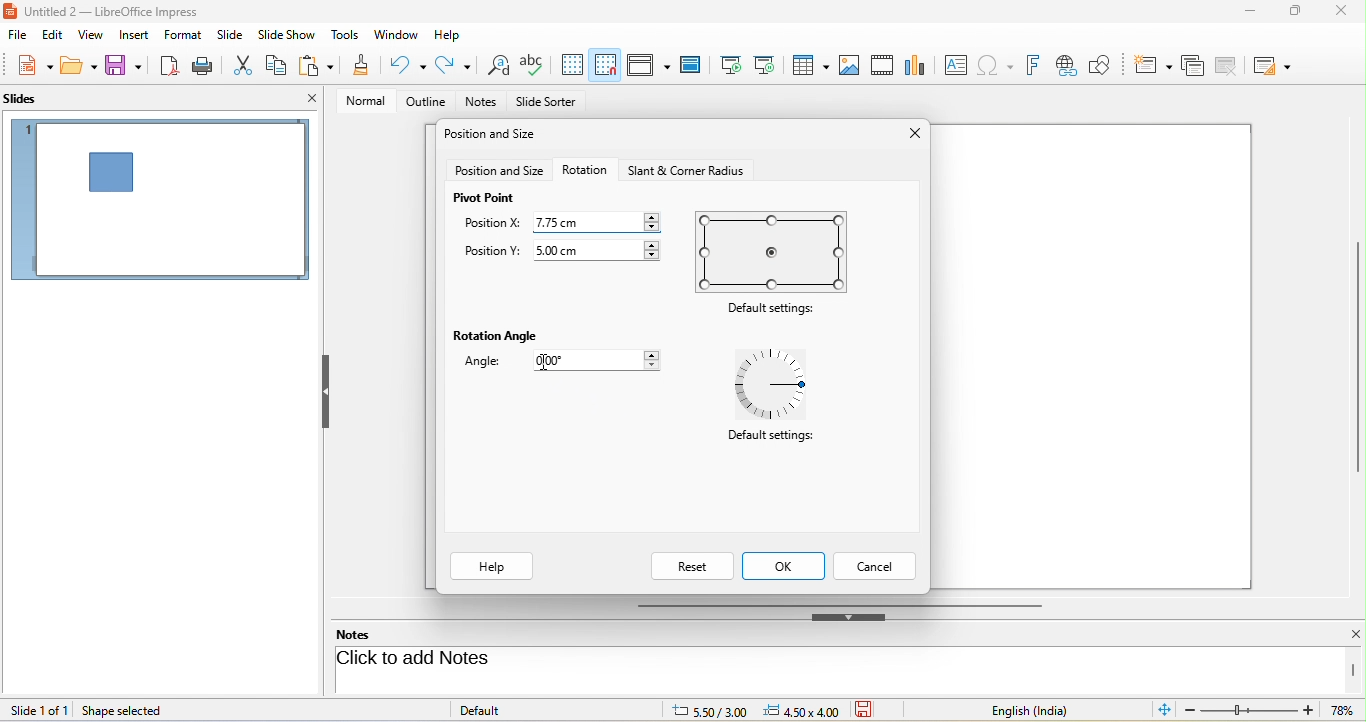 The image size is (1366, 722). Describe the element at coordinates (9, 10) in the screenshot. I see `libre office impress logo` at that location.